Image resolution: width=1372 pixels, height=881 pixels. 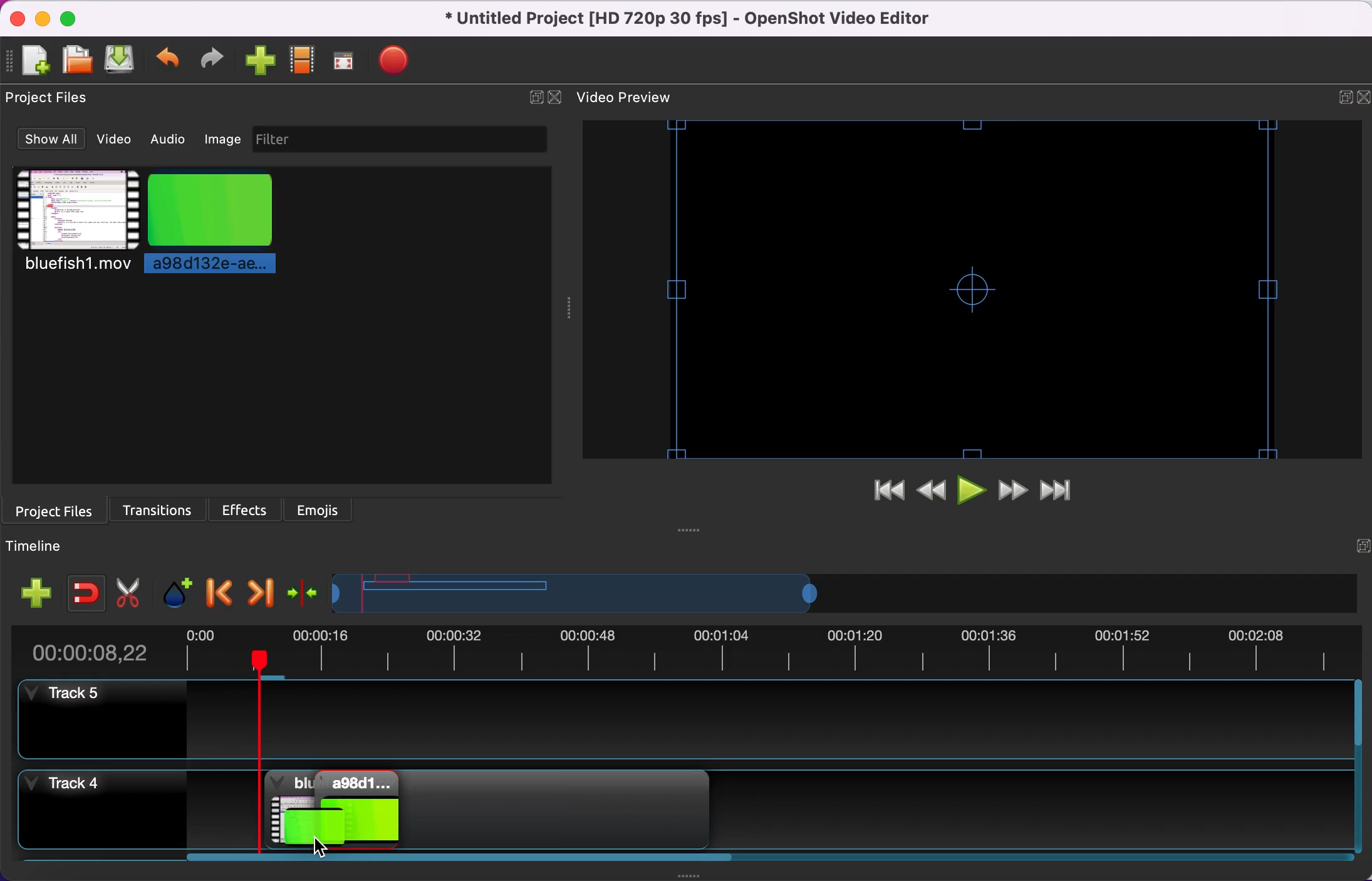 I want to click on close, so click(x=1363, y=98).